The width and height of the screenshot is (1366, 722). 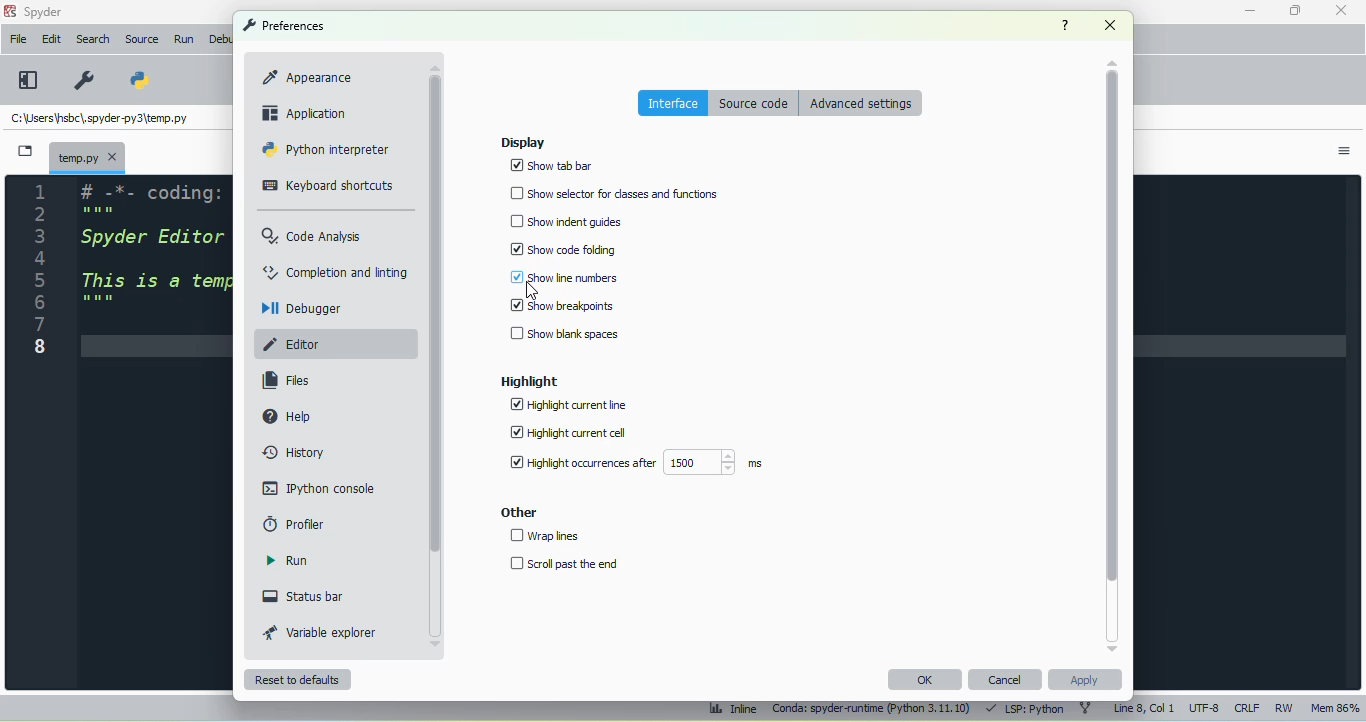 What do you see at coordinates (328, 186) in the screenshot?
I see `keyboard shortcuts` at bounding box center [328, 186].